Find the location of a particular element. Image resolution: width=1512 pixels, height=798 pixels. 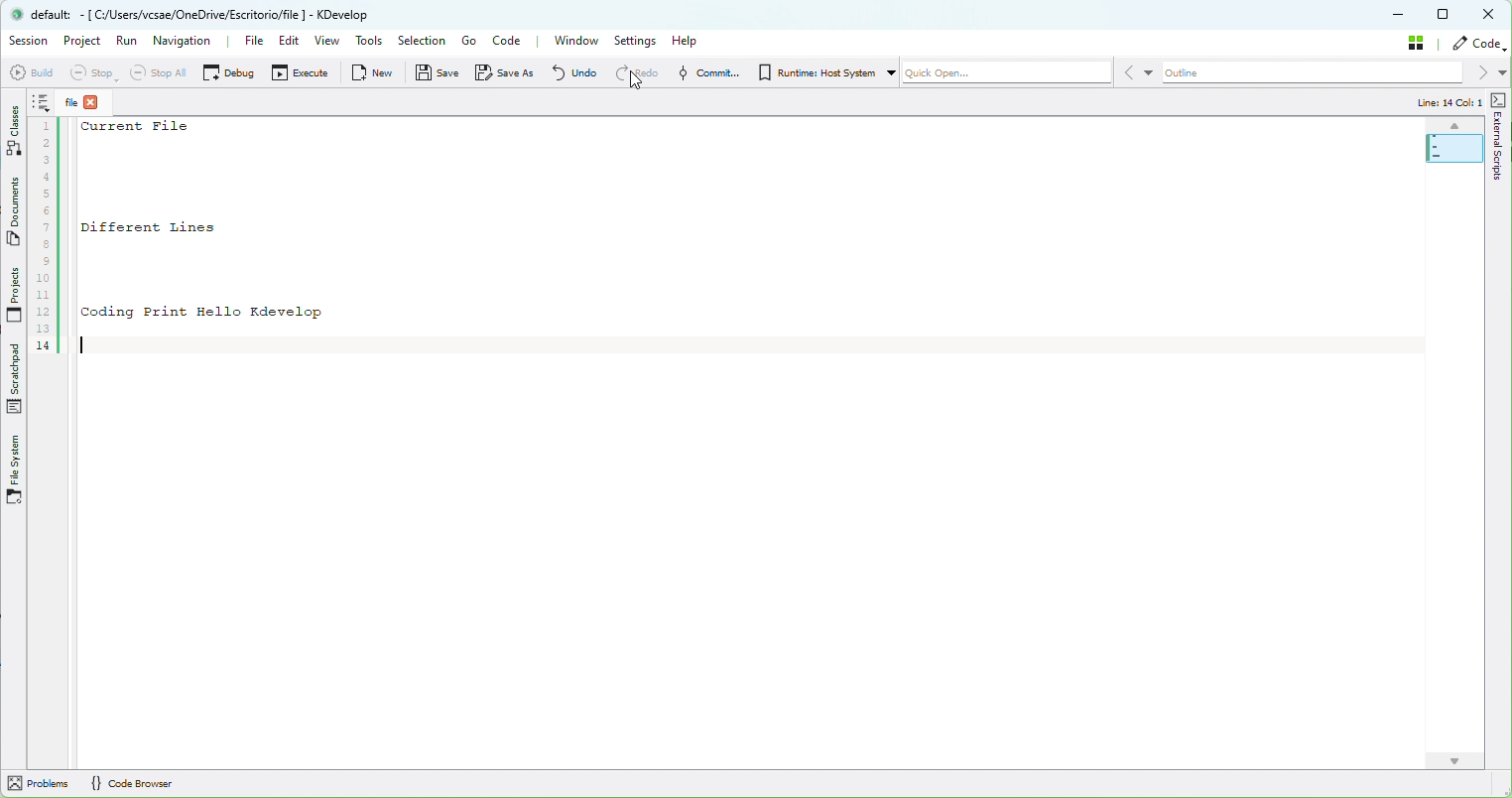

Classes is located at coordinates (19, 133).